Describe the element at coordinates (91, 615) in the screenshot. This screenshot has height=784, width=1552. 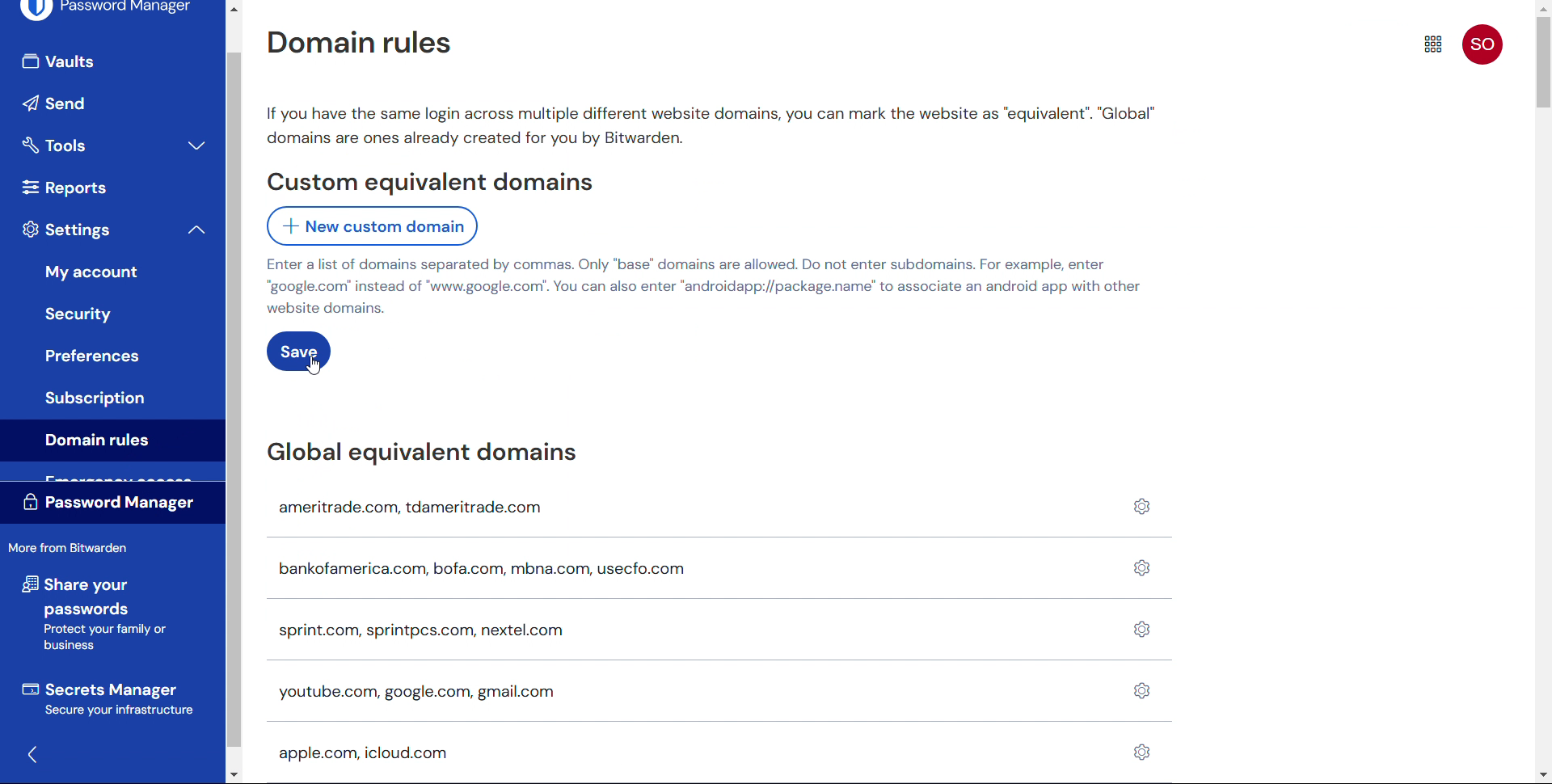
I see `share your passwords Protect your family or business` at that location.